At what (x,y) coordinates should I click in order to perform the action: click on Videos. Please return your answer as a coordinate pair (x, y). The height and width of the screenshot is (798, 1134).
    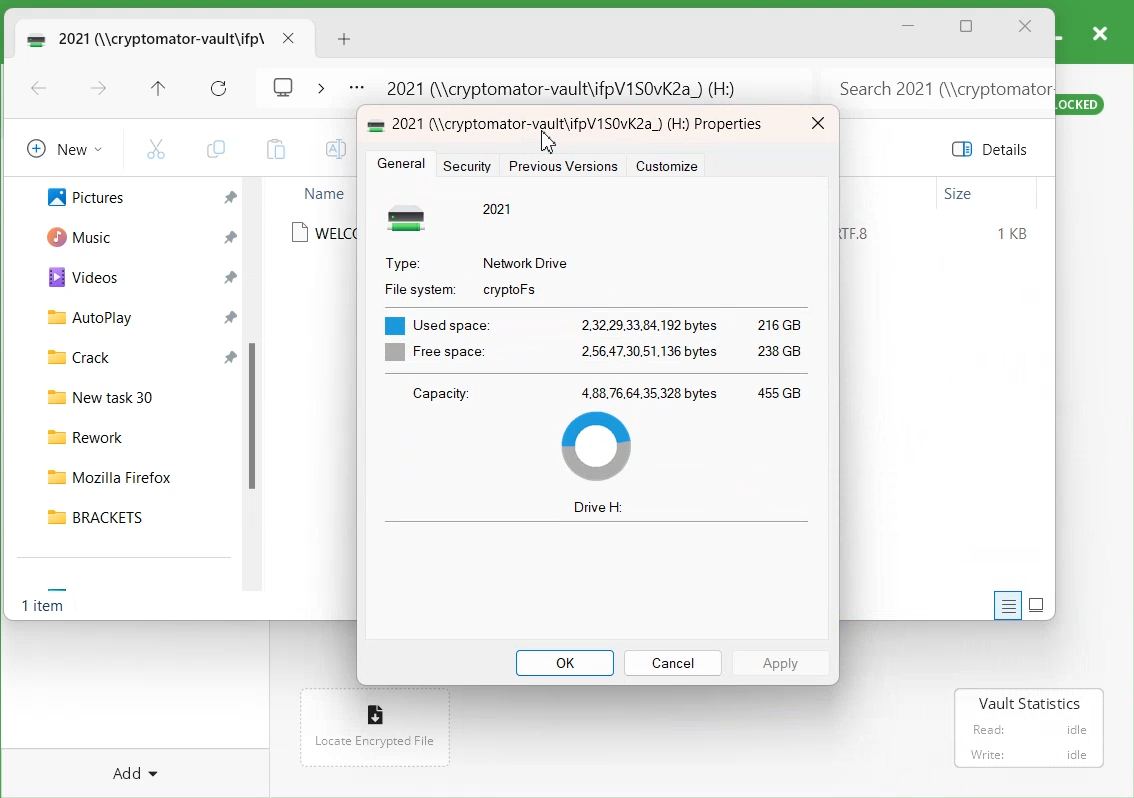
    Looking at the image, I should click on (75, 276).